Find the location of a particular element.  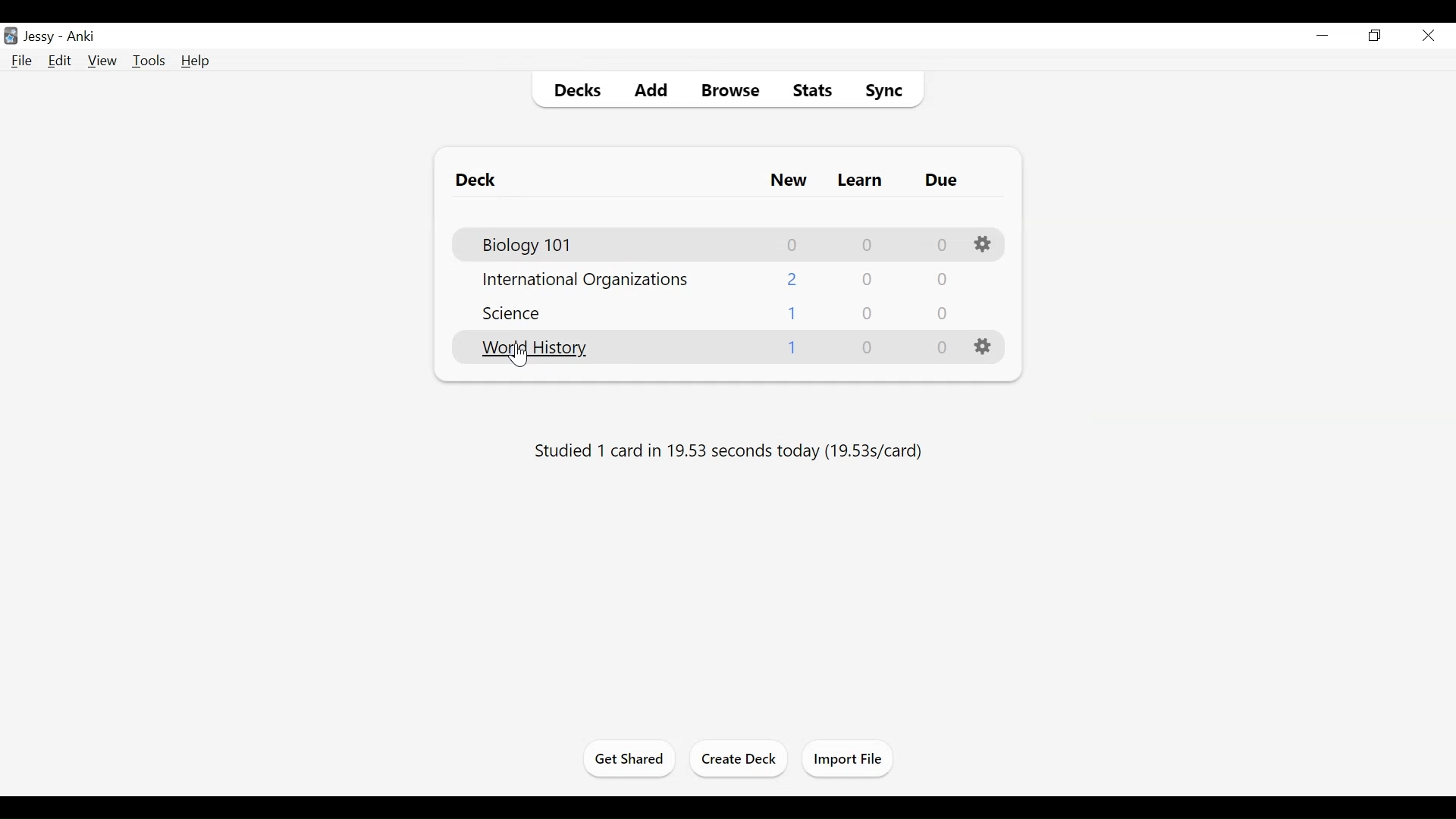

Due Cards Count is located at coordinates (940, 350).